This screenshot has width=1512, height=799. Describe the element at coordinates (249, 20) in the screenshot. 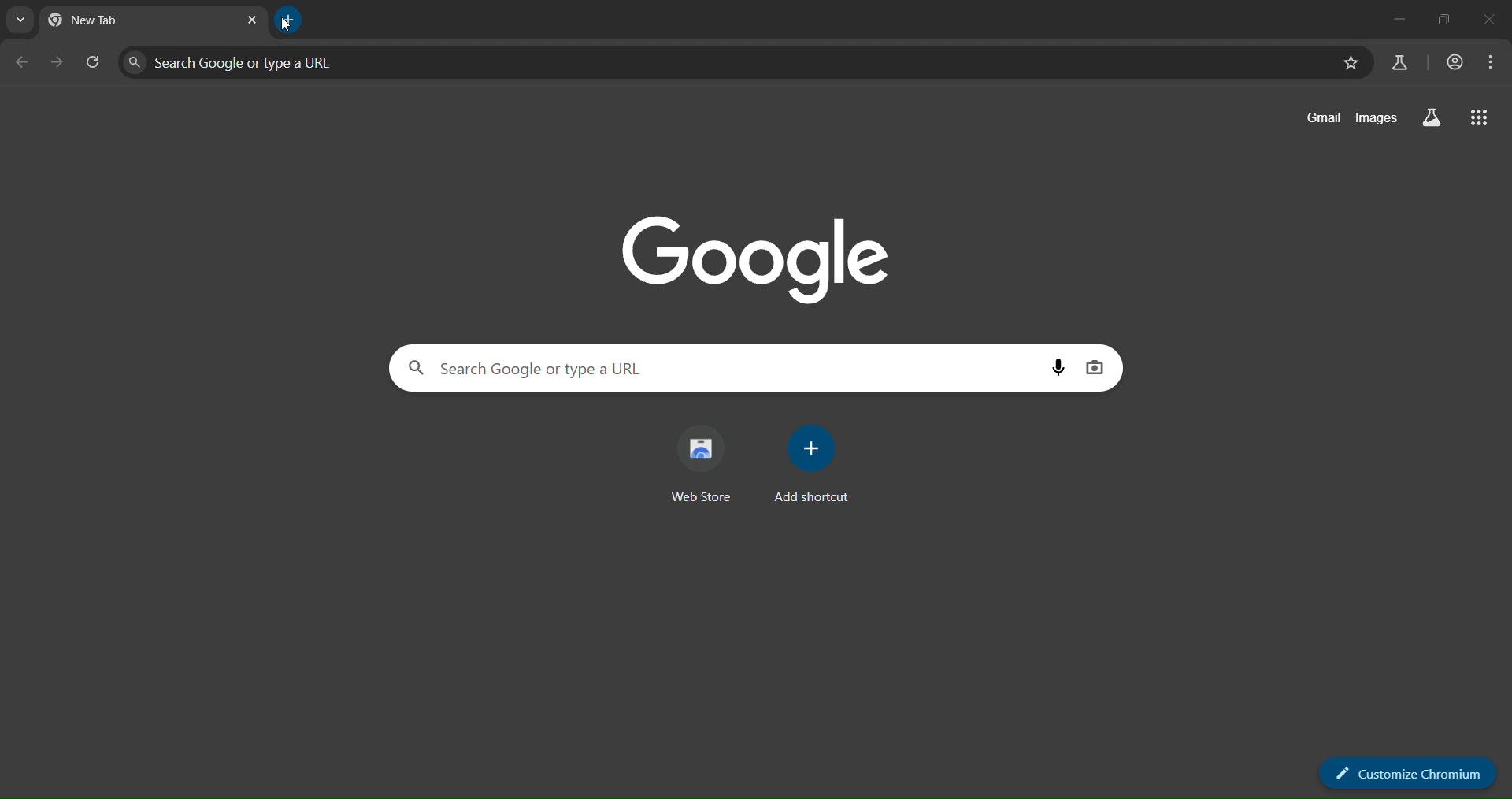

I see `close tab` at that location.